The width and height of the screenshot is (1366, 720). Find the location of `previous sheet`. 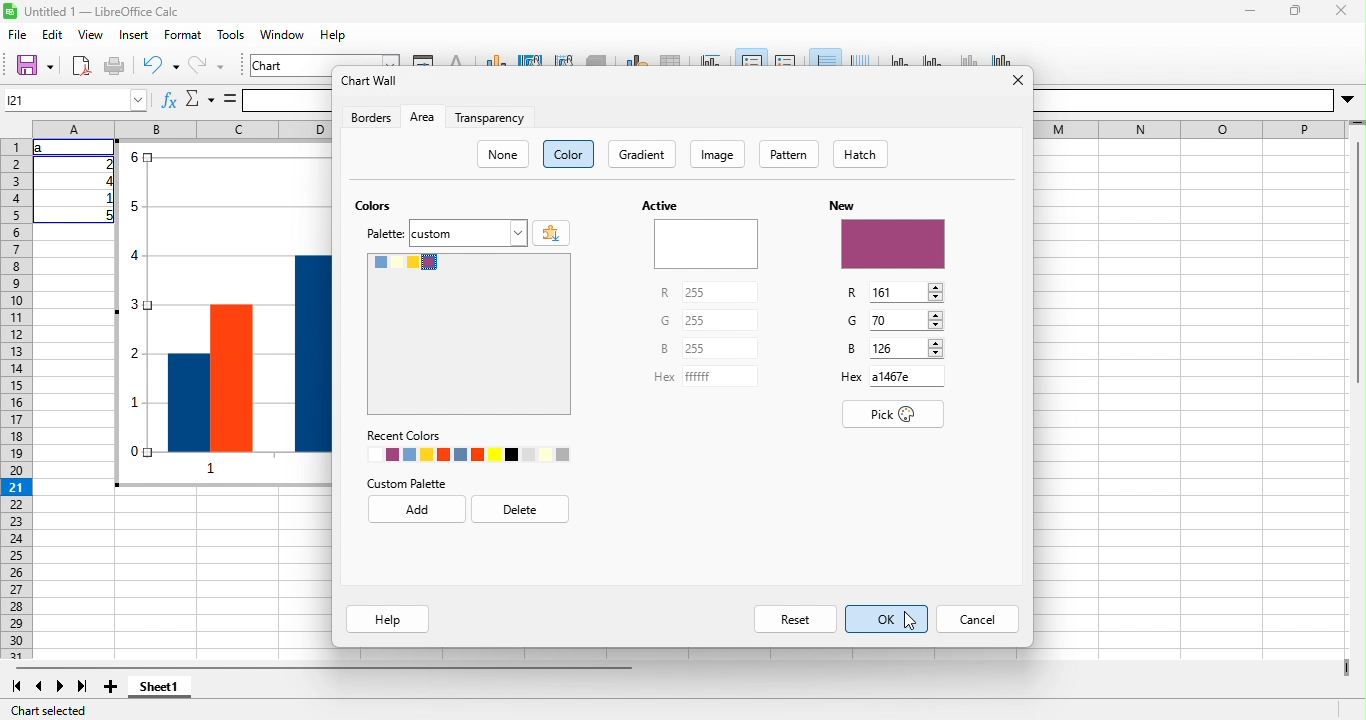

previous sheet is located at coordinates (38, 686).